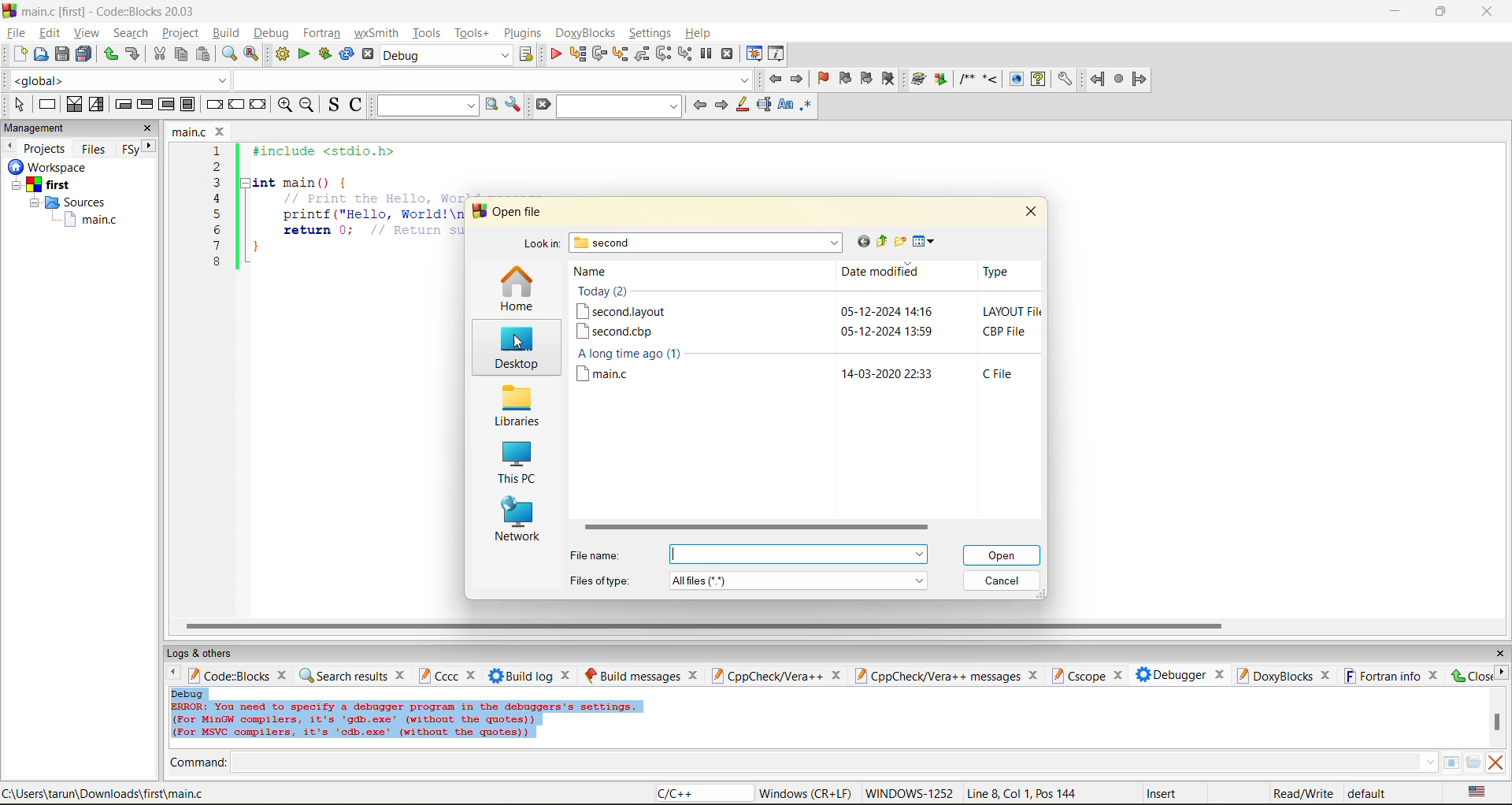  I want to click on open file, so click(520, 212).